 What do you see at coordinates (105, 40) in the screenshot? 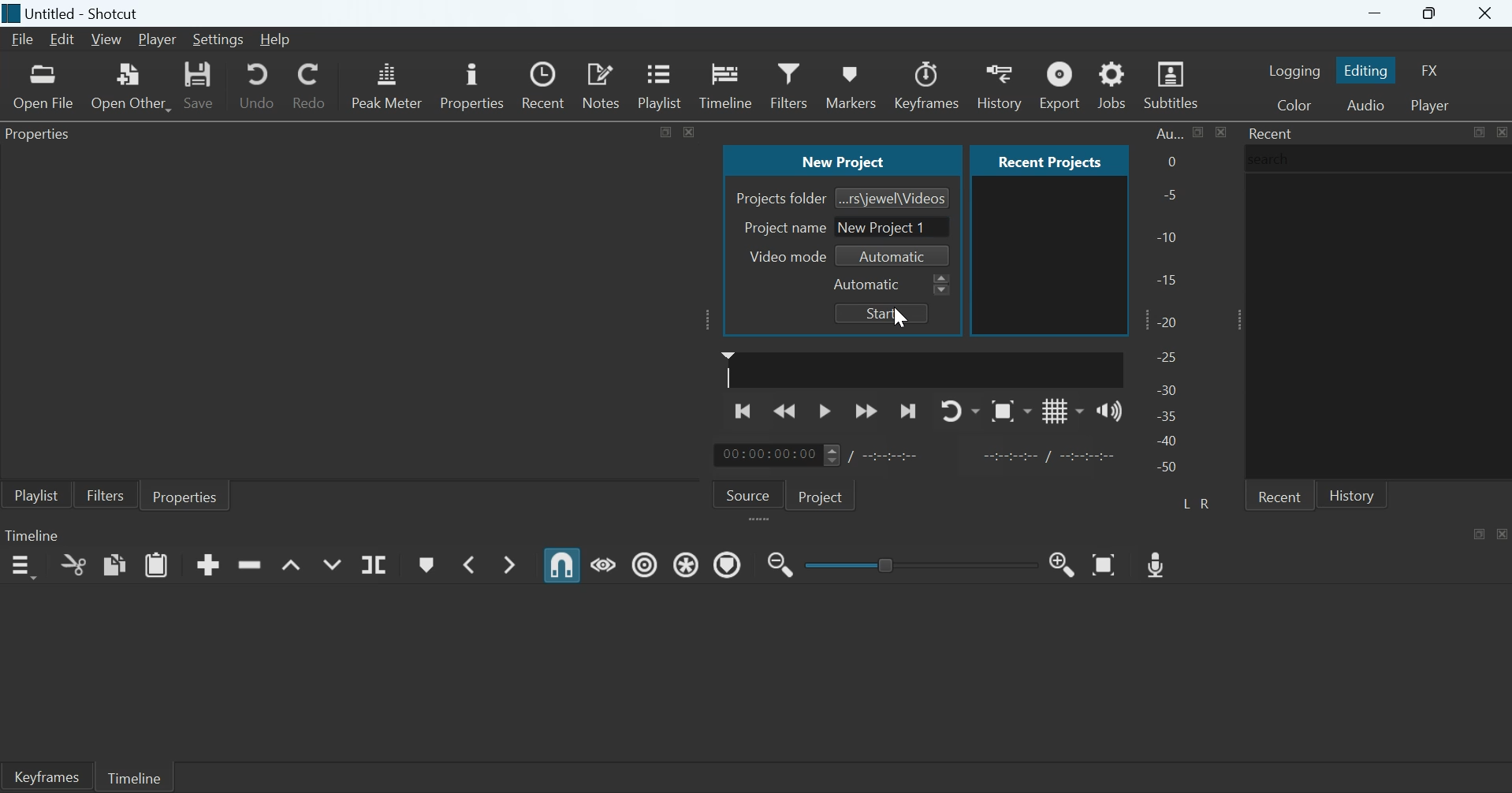
I see `View` at bounding box center [105, 40].